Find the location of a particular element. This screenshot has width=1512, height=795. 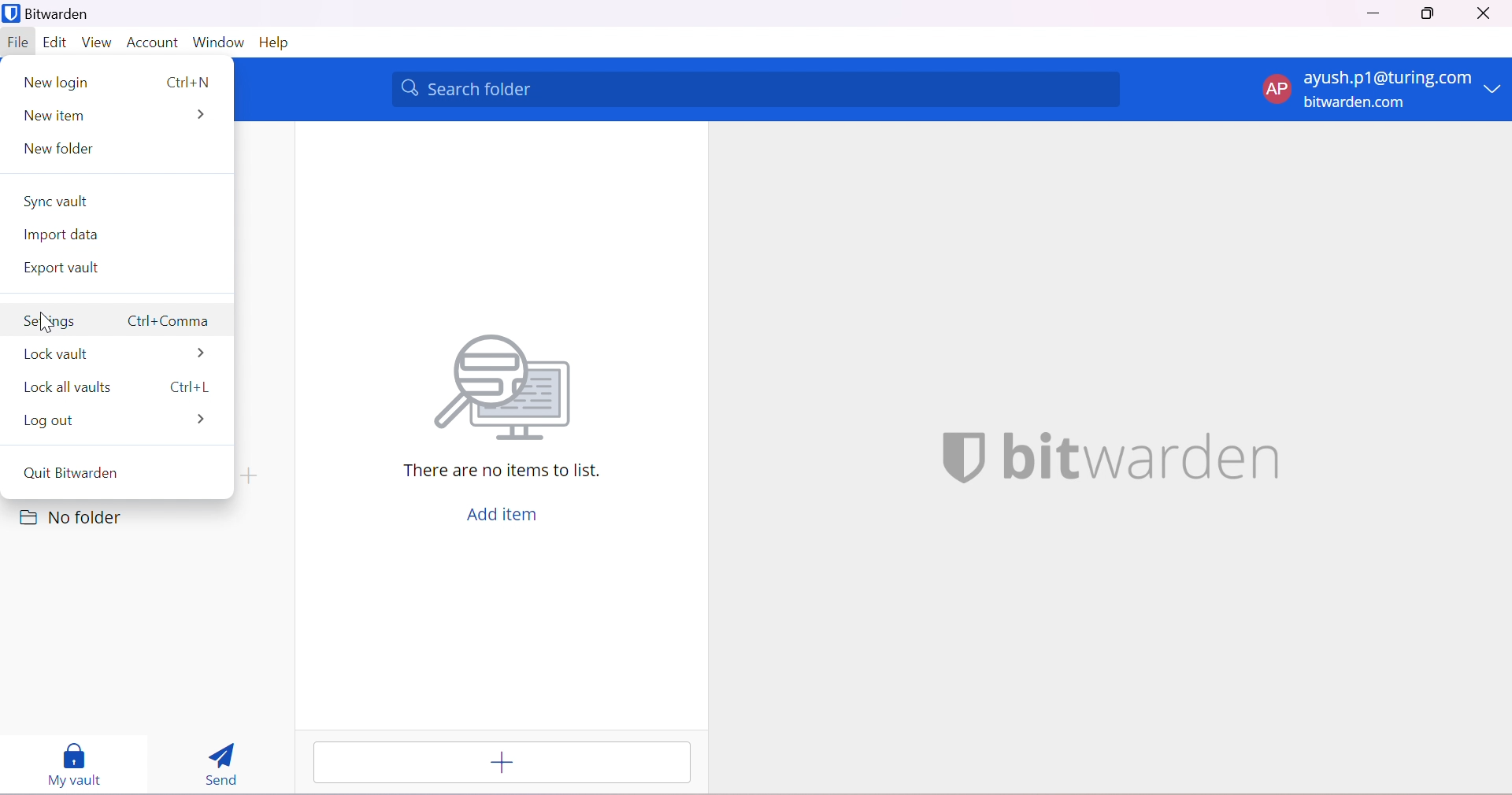

Import data is located at coordinates (65, 236).